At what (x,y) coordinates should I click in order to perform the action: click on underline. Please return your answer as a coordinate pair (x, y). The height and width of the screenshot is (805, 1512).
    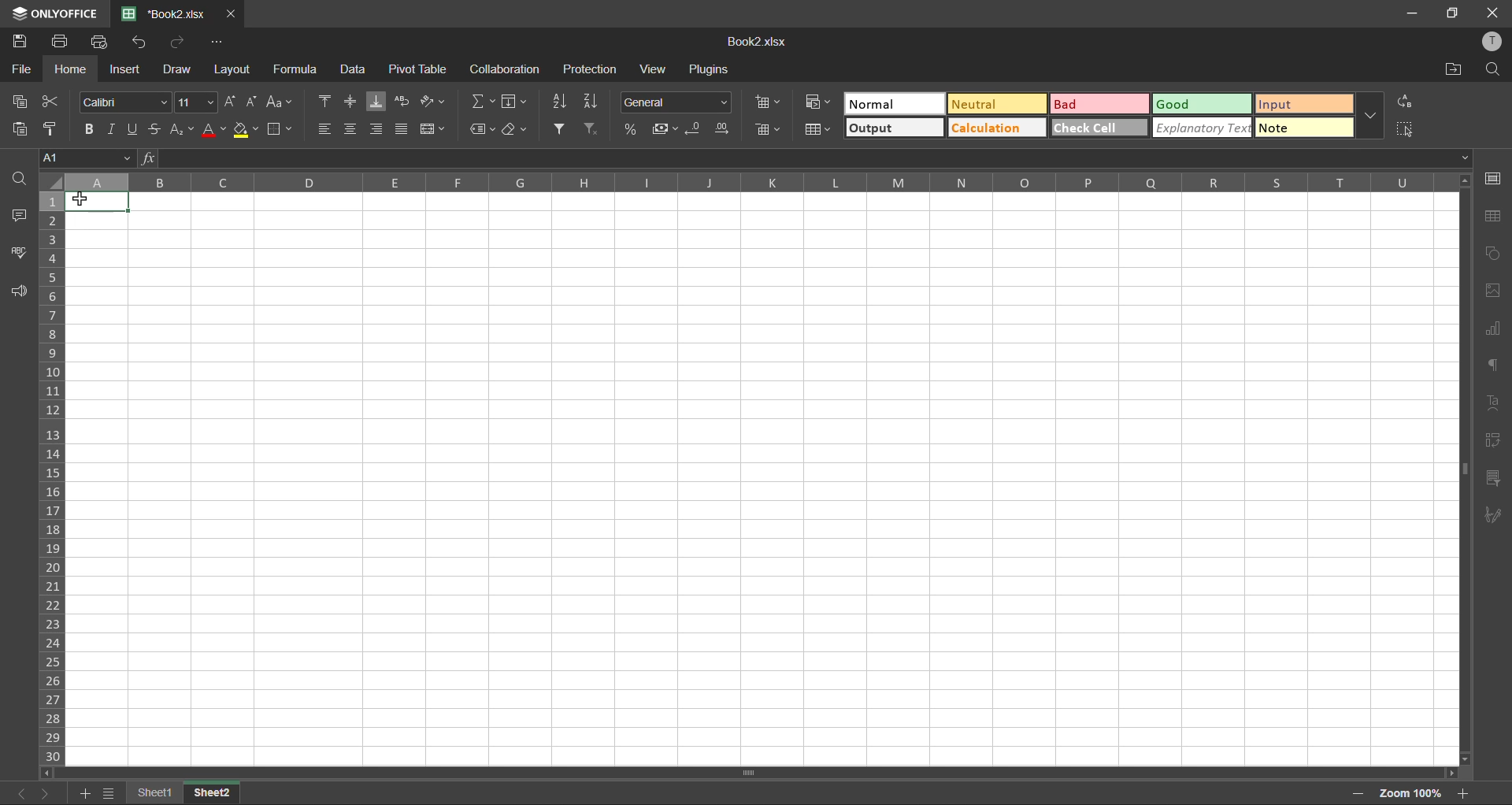
    Looking at the image, I should click on (135, 128).